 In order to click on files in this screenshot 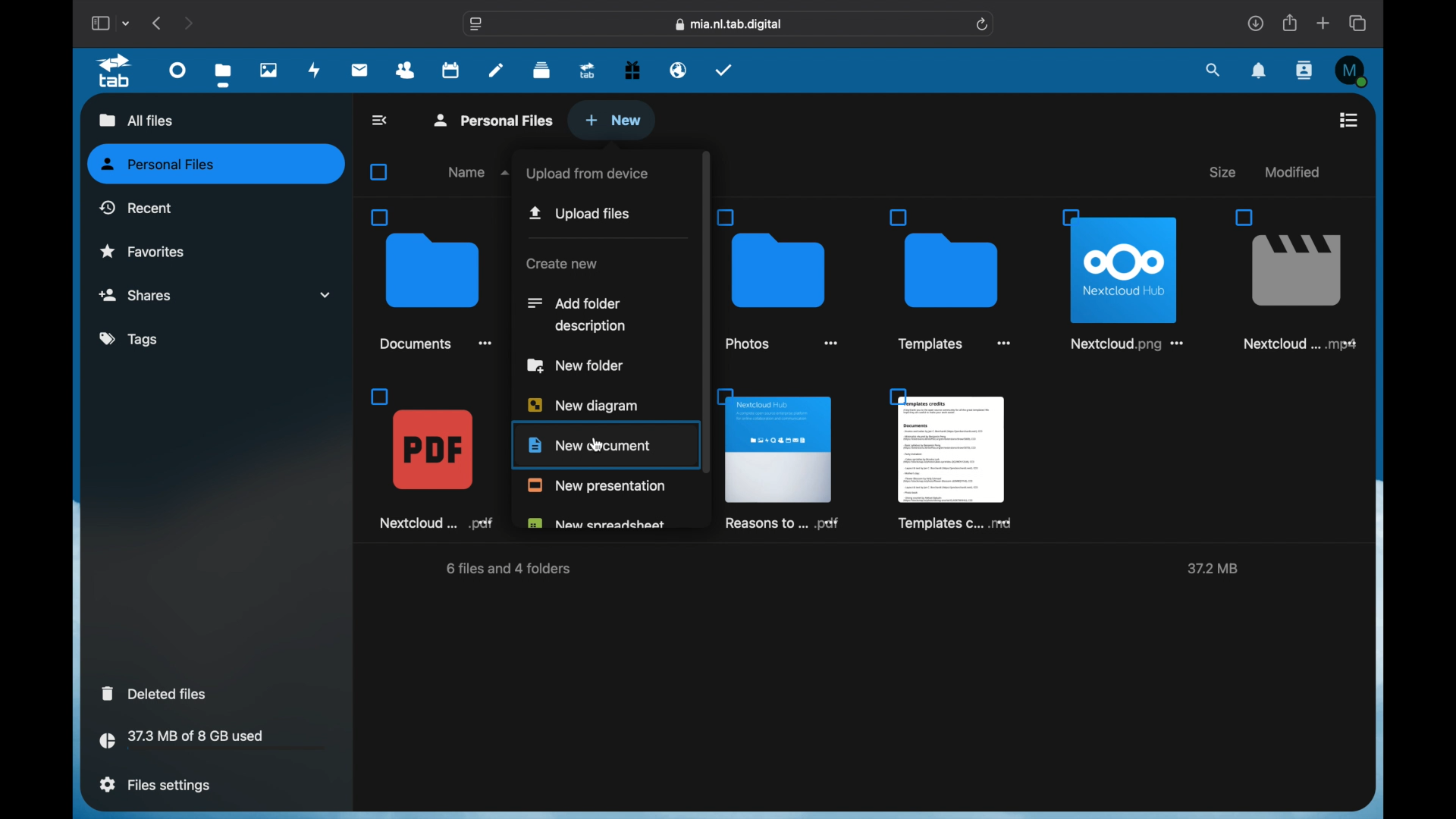, I will do `click(223, 74)`.